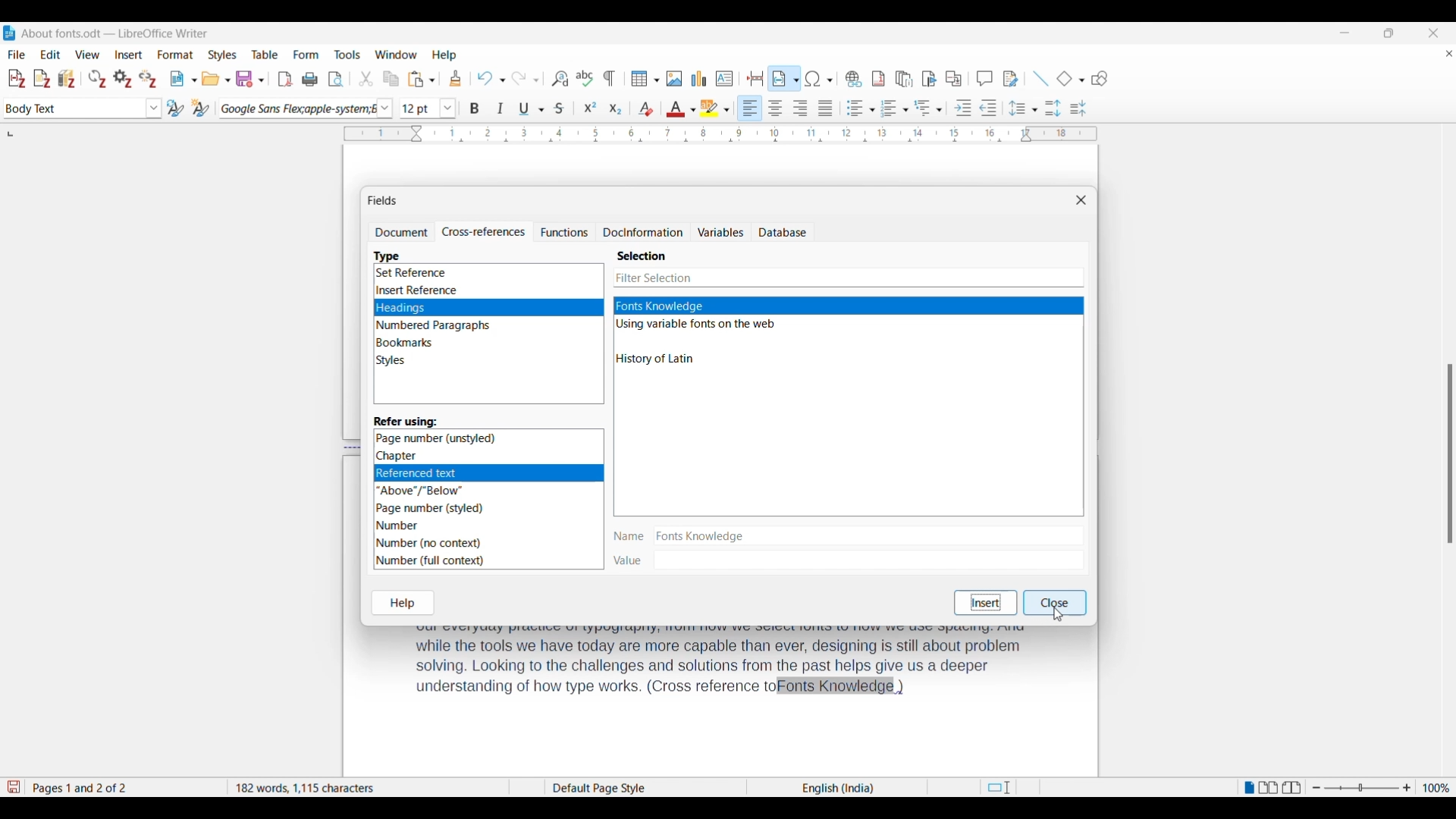 This screenshot has width=1456, height=819. Describe the element at coordinates (963, 108) in the screenshot. I see `Increase indentation` at that location.